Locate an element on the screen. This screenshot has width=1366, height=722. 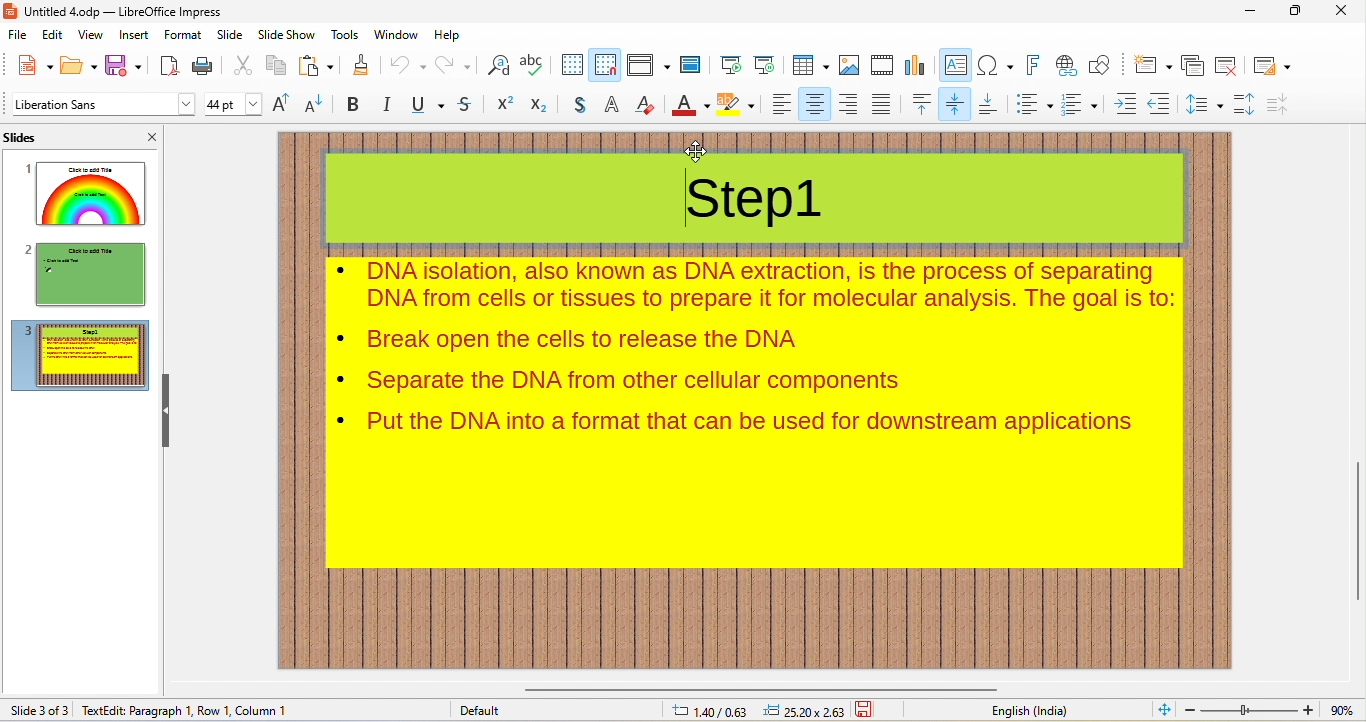
start from current is located at coordinates (764, 63).